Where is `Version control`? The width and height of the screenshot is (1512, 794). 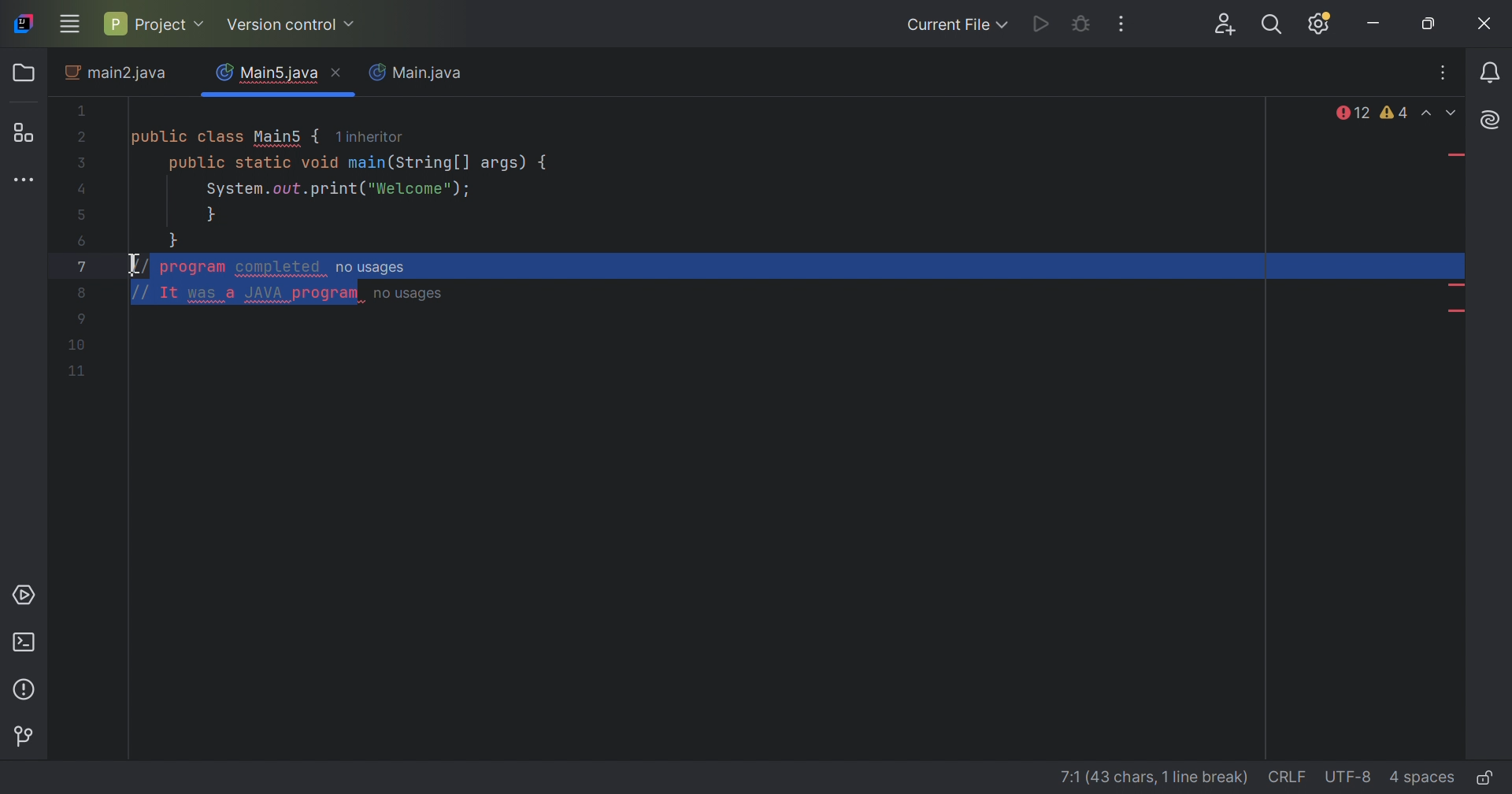 Version control is located at coordinates (293, 25).